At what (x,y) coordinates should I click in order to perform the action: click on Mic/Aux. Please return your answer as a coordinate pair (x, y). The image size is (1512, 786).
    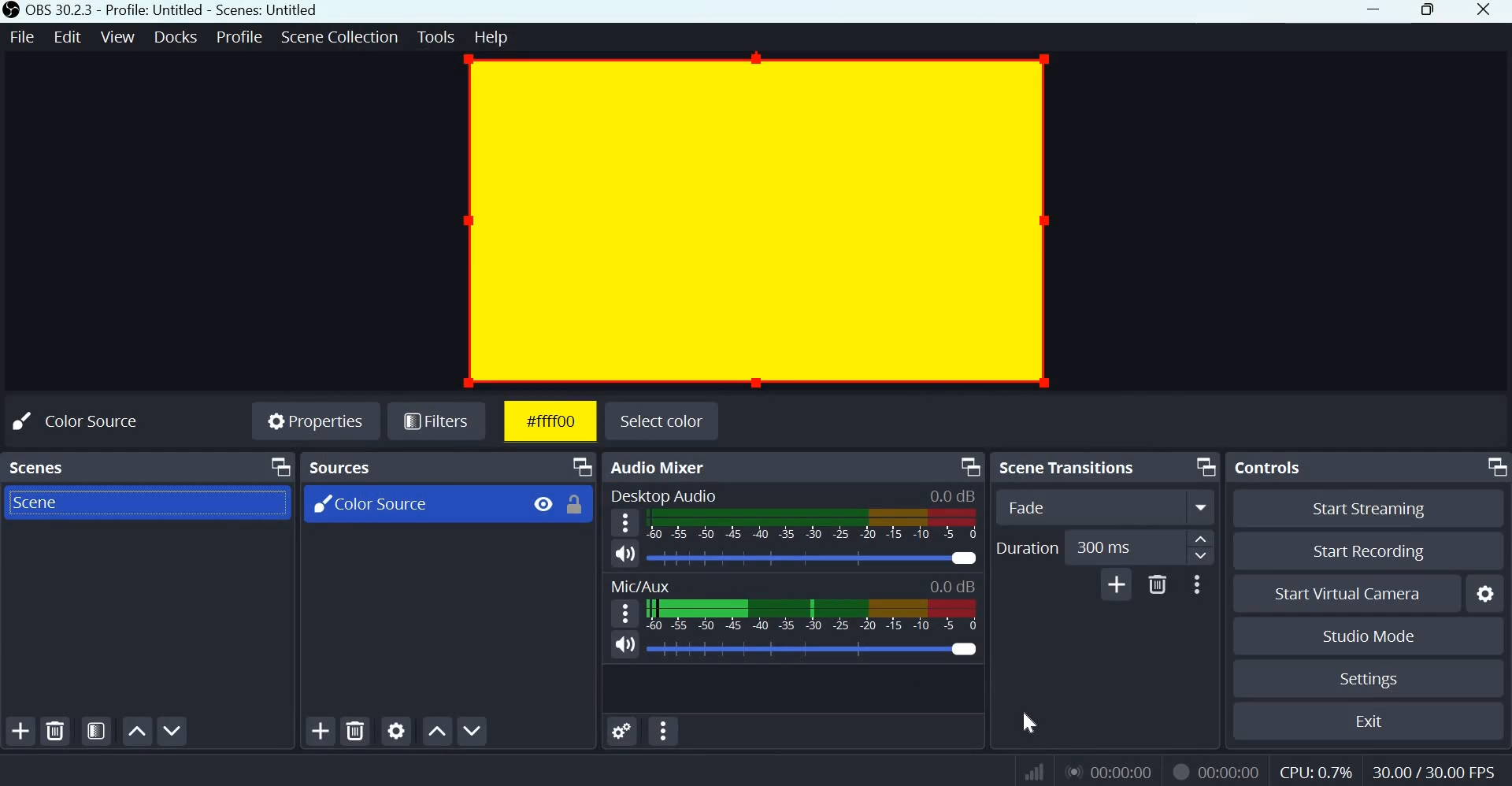
    Looking at the image, I should click on (640, 585).